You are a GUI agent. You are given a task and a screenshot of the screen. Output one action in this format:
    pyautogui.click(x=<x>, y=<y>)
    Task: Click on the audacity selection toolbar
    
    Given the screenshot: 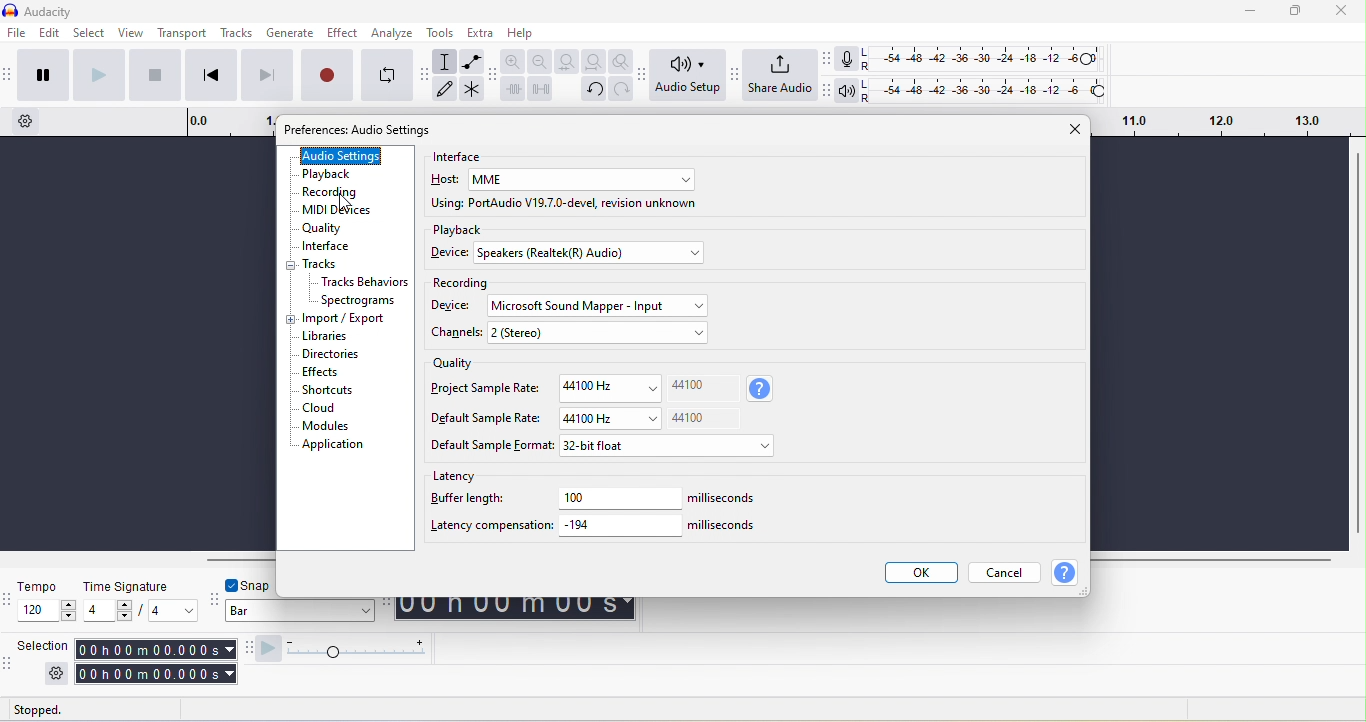 What is the action you would take?
    pyautogui.click(x=9, y=661)
    